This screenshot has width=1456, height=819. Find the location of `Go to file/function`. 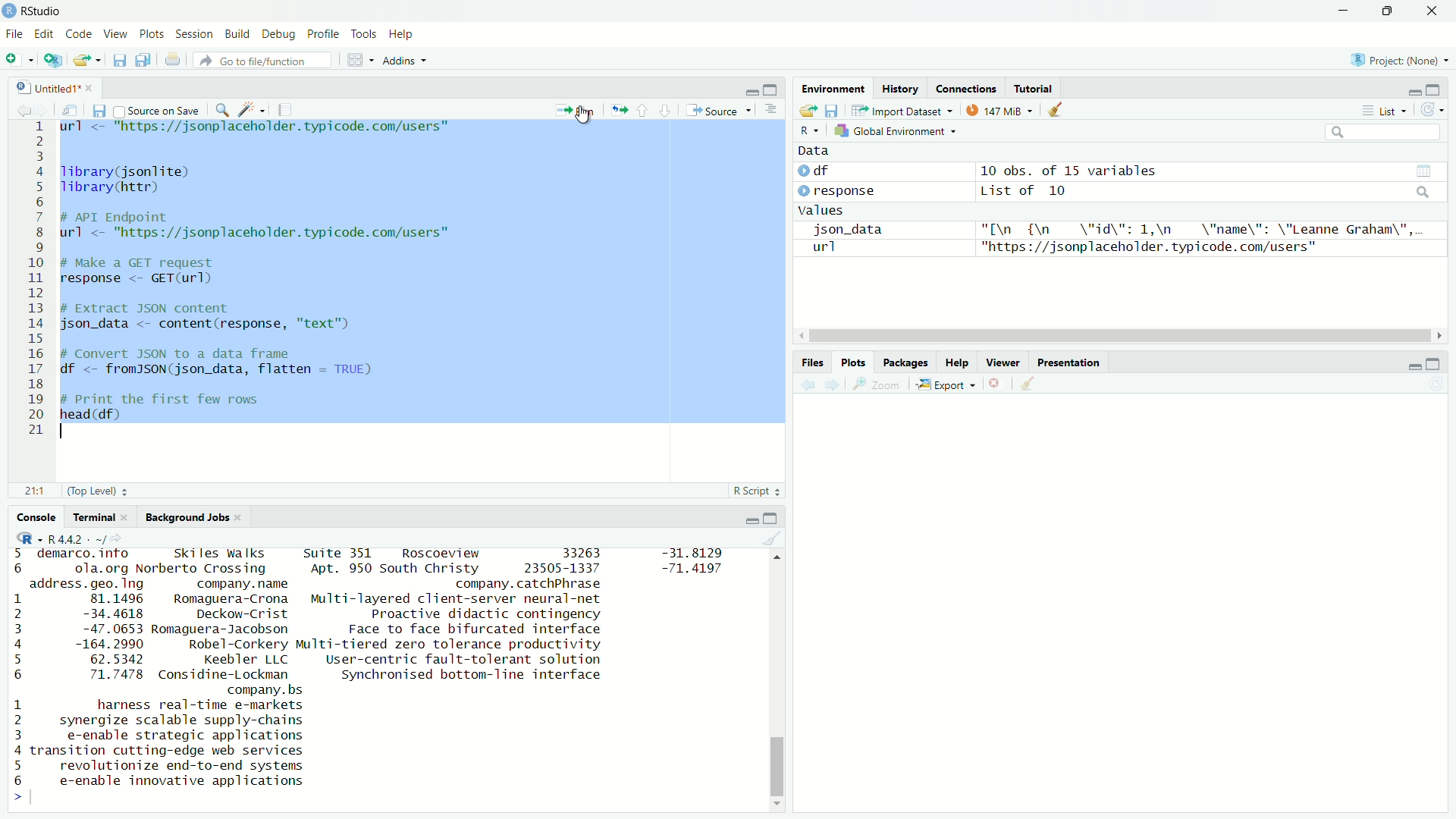

Go to file/function is located at coordinates (267, 59).